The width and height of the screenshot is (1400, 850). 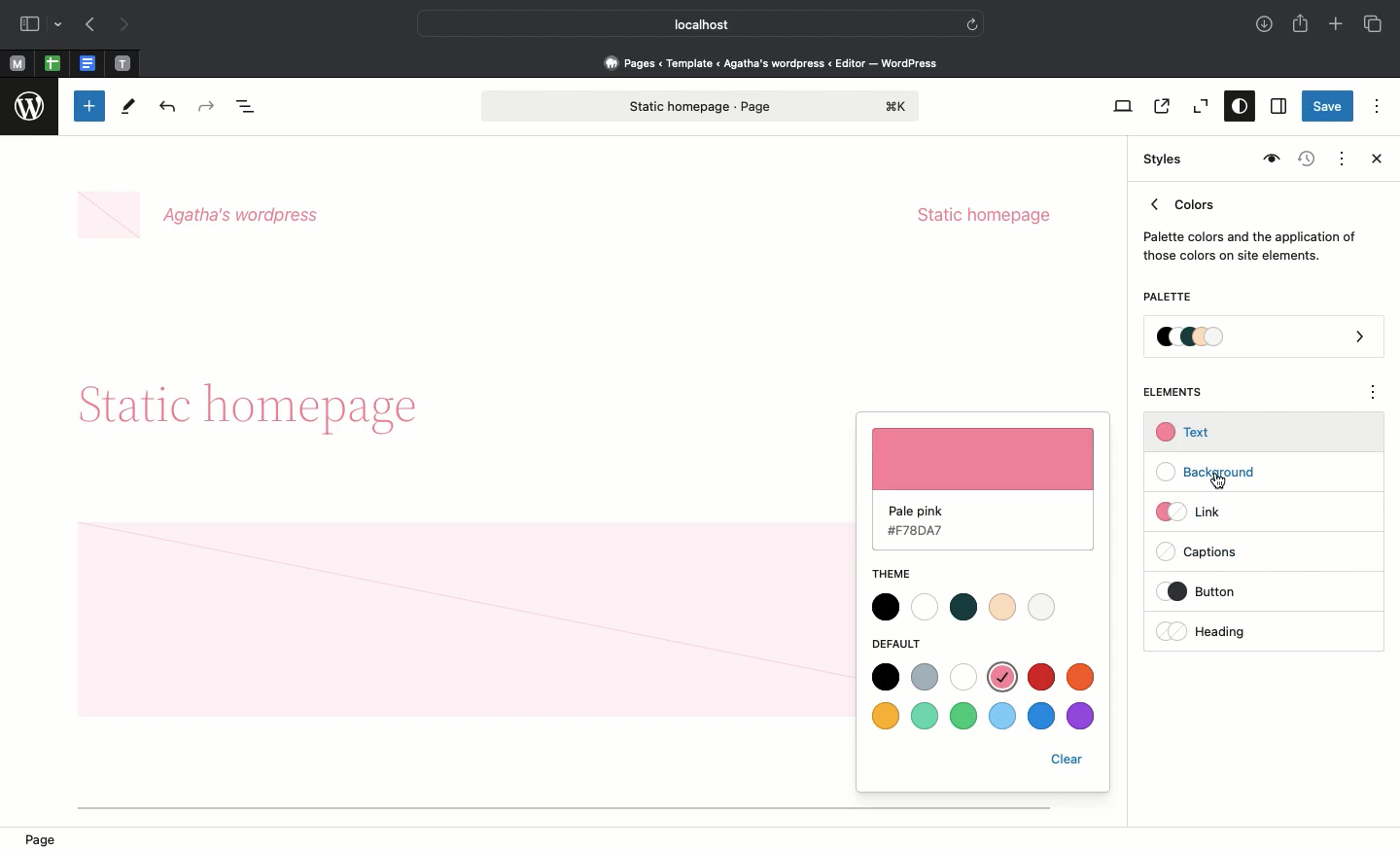 What do you see at coordinates (1214, 591) in the screenshot?
I see `Button` at bounding box center [1214, 591].